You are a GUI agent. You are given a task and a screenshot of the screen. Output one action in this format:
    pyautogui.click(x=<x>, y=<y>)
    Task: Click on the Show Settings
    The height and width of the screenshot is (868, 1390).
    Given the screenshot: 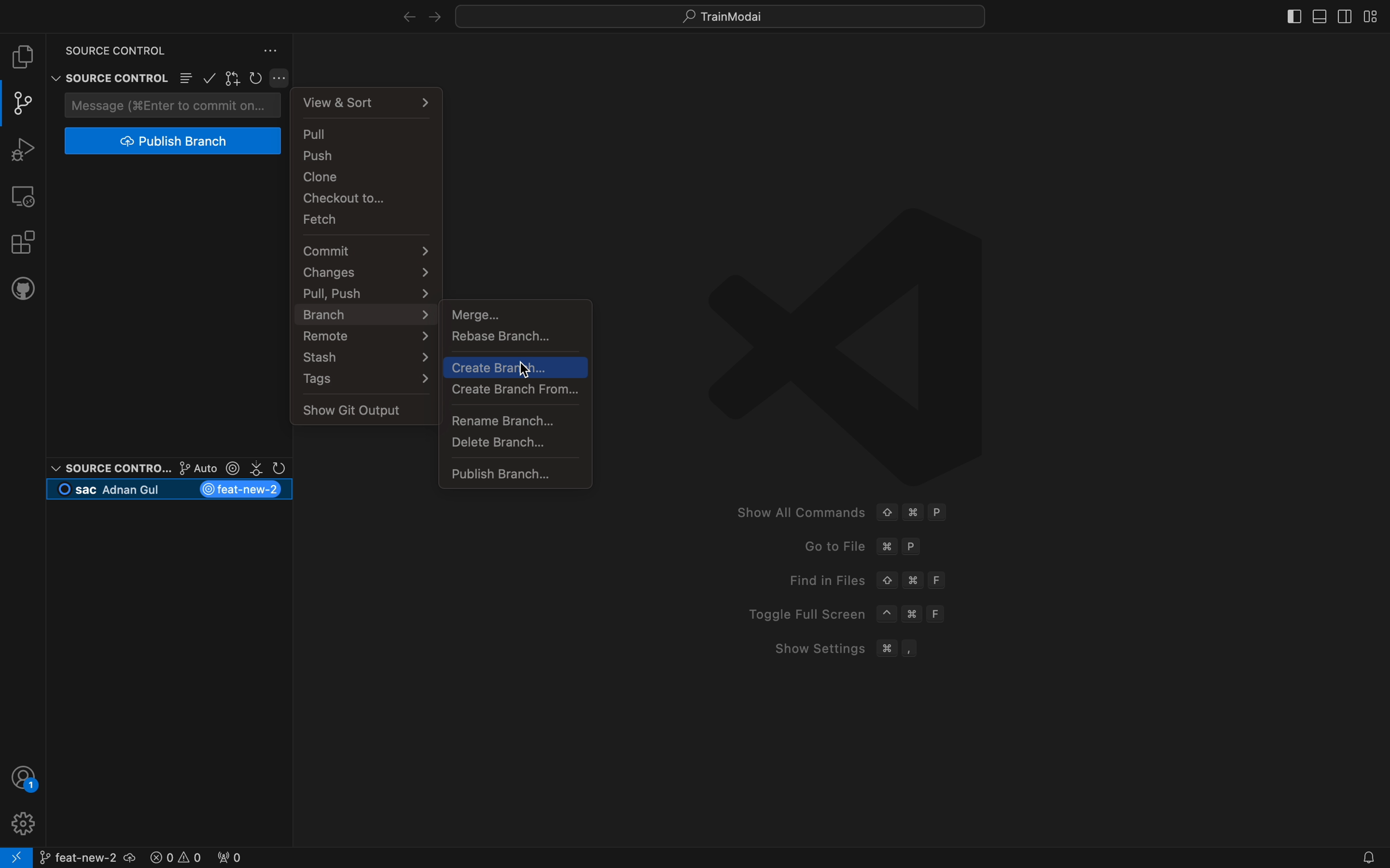 What is the action you would take?
    pyautogui.click(x=811, y=648)
    